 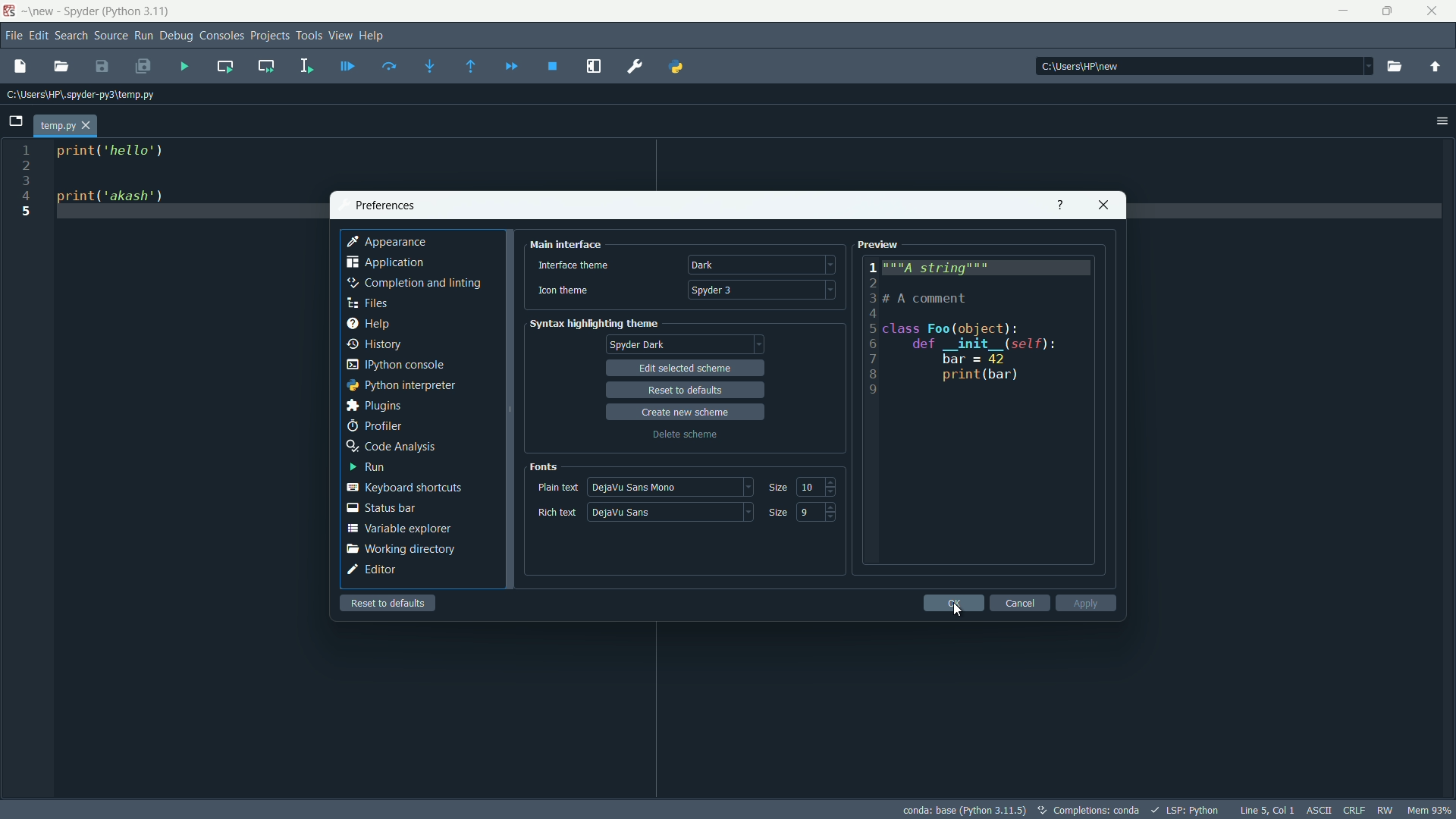 What do you see at coordinates (1185, 809) in the screenshot?
I see `LSP:Python` at bounding box center [1185, 809].